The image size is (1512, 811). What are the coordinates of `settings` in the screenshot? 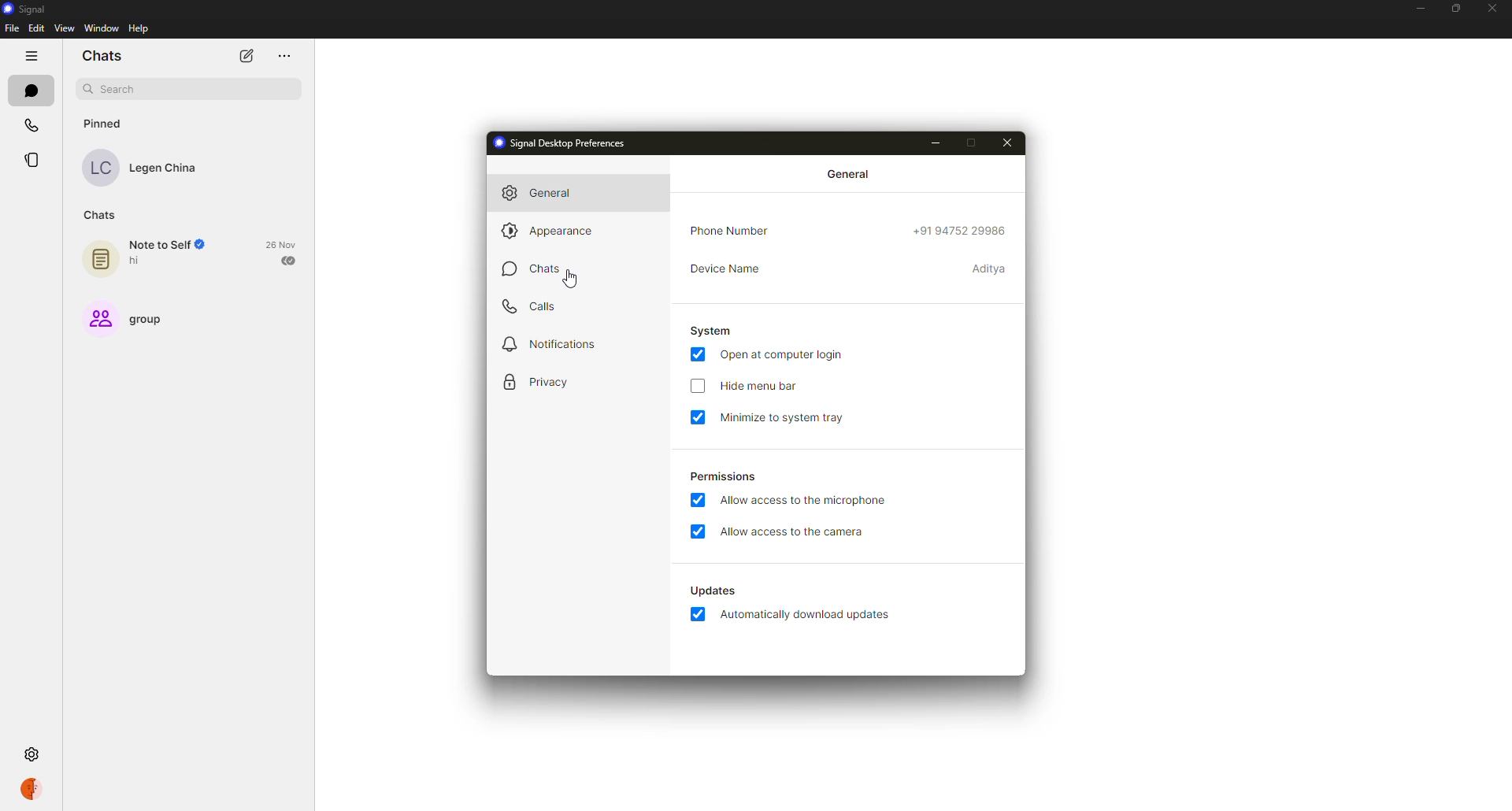 It's located at (34, 756).